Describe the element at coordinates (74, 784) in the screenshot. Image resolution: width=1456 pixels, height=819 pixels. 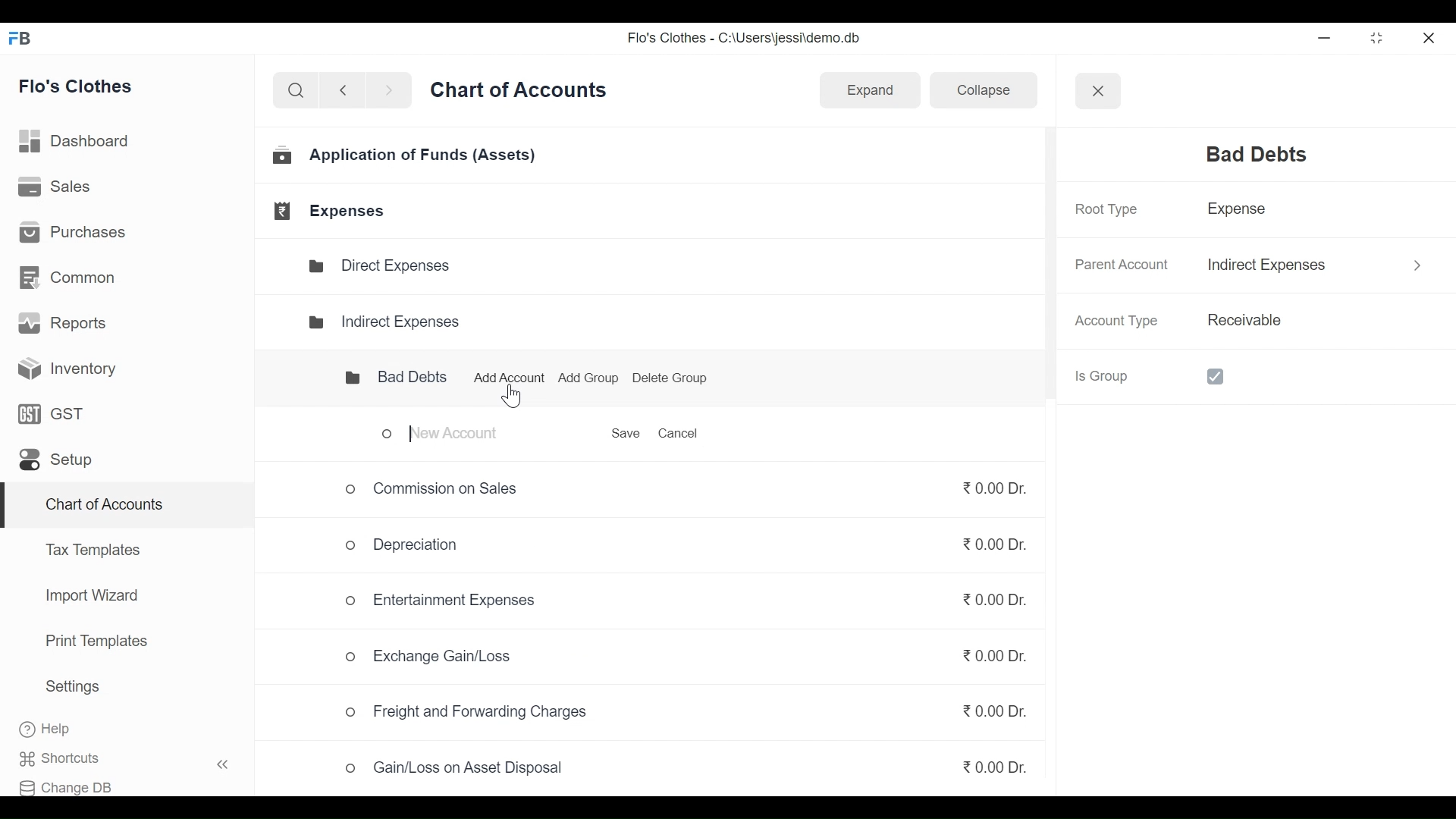
I see `Change DB` at that location.